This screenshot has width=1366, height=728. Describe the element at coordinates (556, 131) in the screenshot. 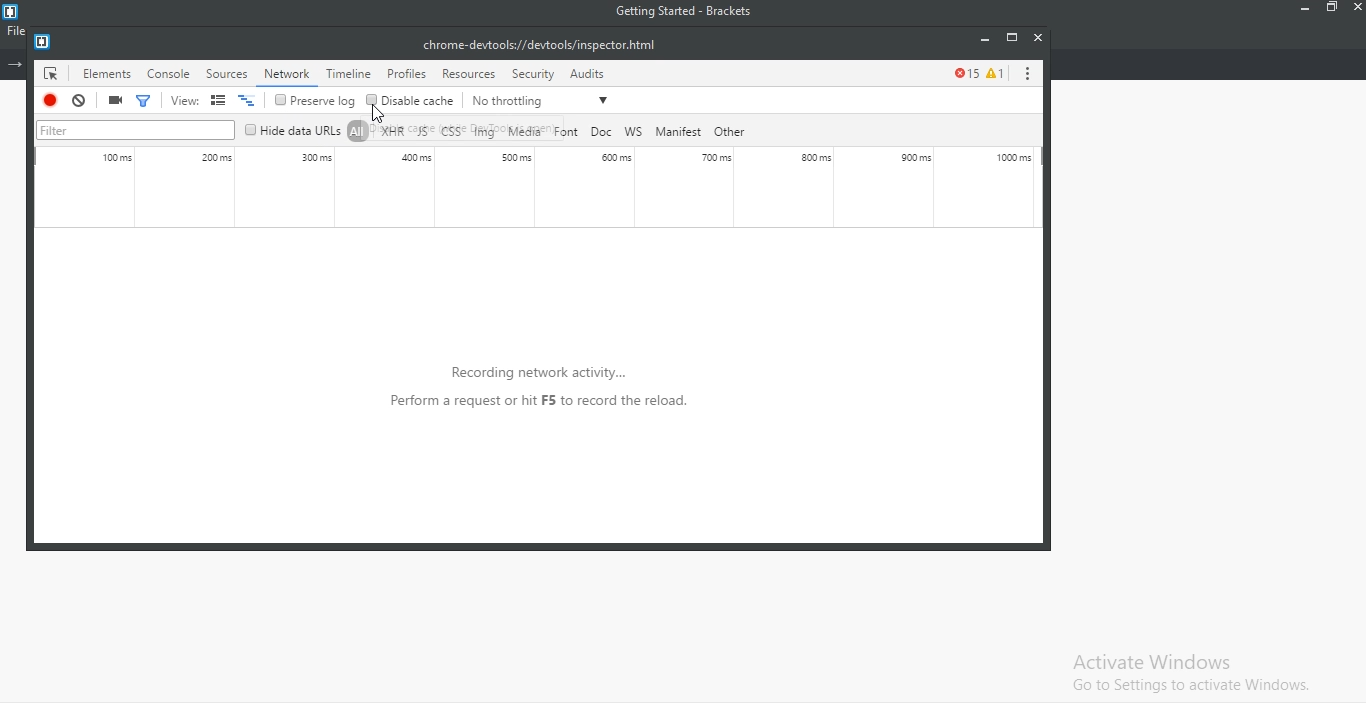

I see `file types` at that location.